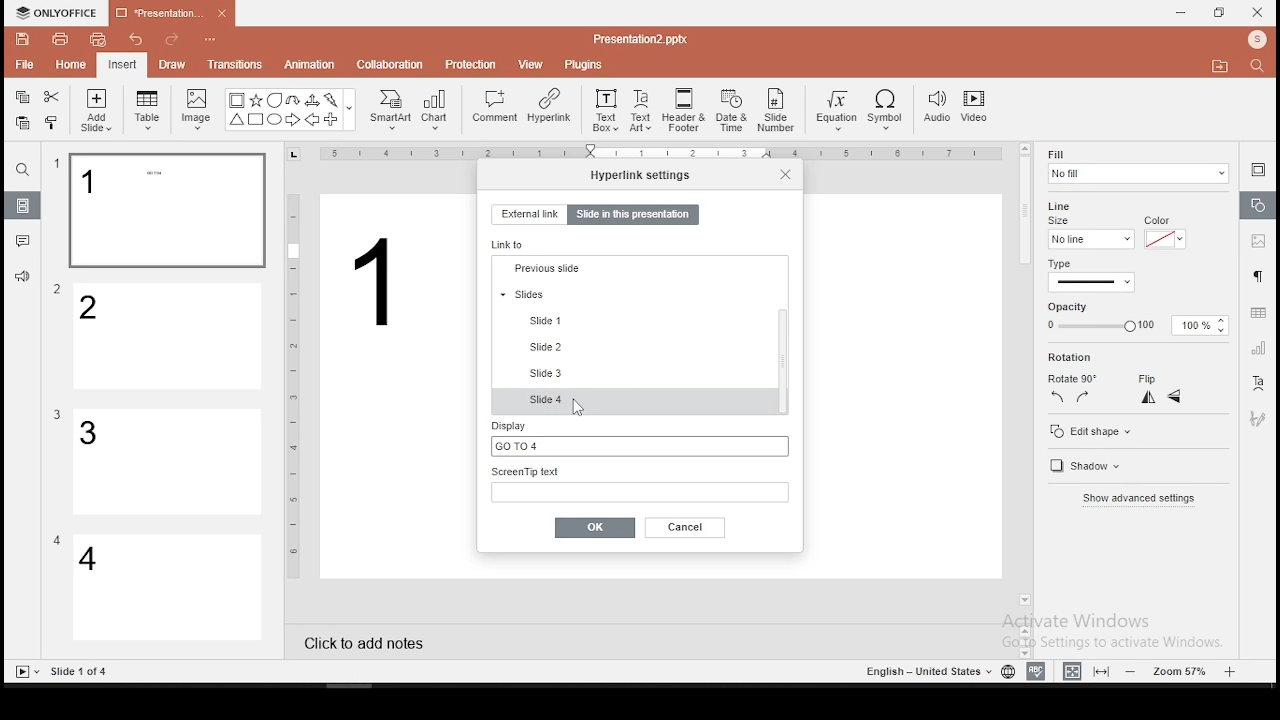 This screenshot has height=720, width=1280. What do you see at coordinates (23, 241) in the screenshot?
I see `comments` at bounding box center [23, 241].